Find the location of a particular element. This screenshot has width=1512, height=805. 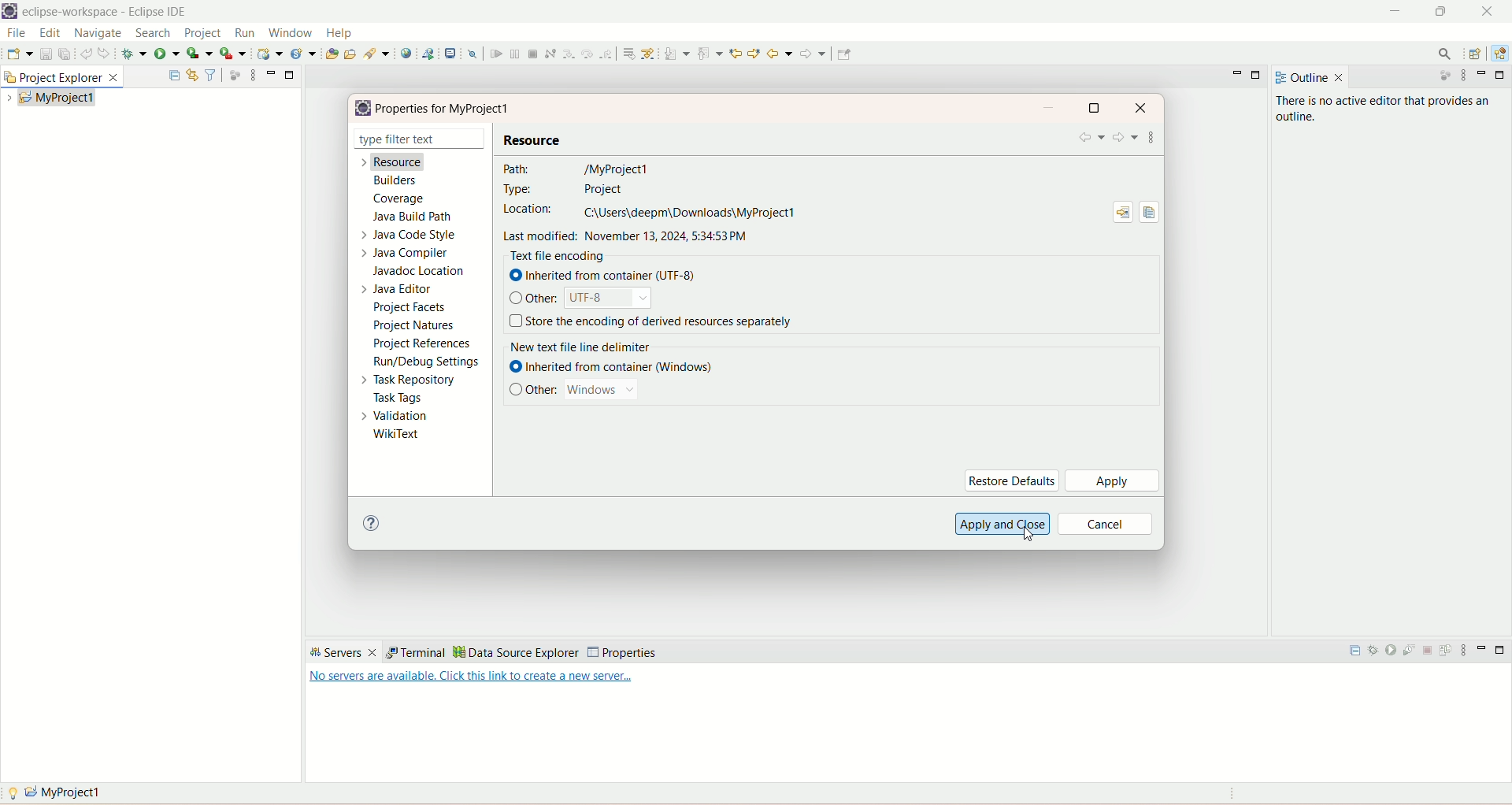

minimize is located at coordinates (270, 73).